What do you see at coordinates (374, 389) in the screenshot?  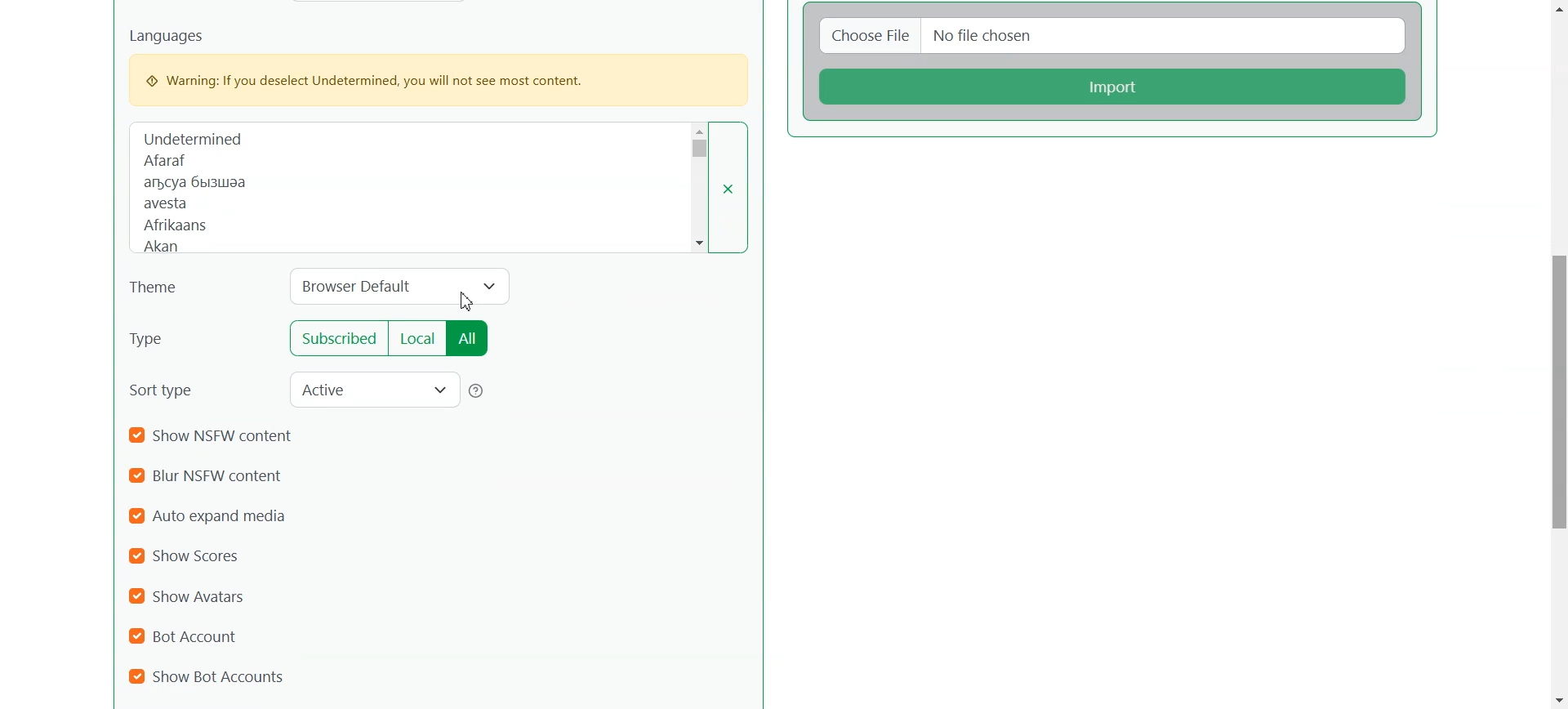 I see `Active` at bounding box center [374, 389].